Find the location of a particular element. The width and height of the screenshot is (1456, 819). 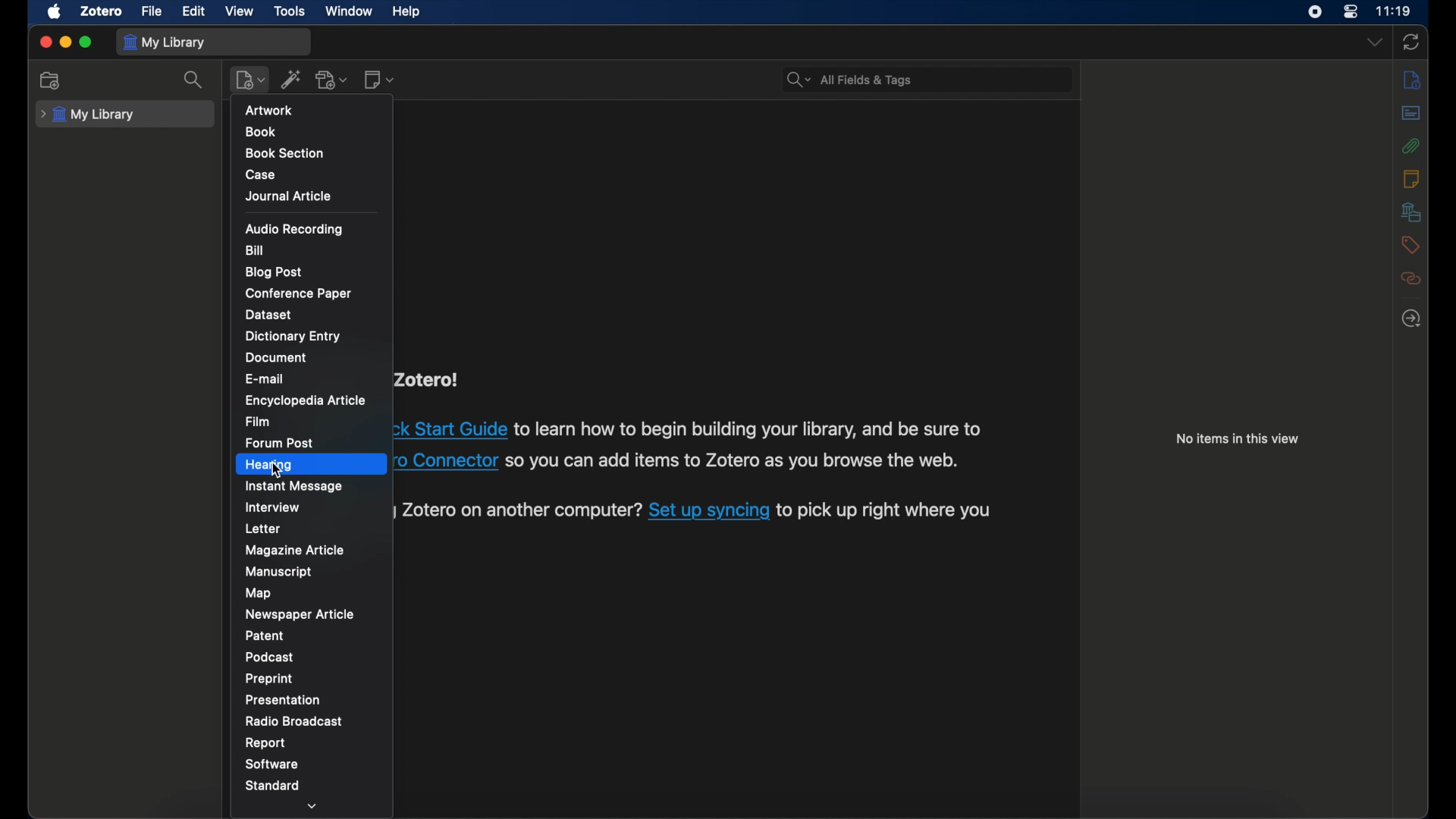

no items in this view is located at coordinates (1238, 438).